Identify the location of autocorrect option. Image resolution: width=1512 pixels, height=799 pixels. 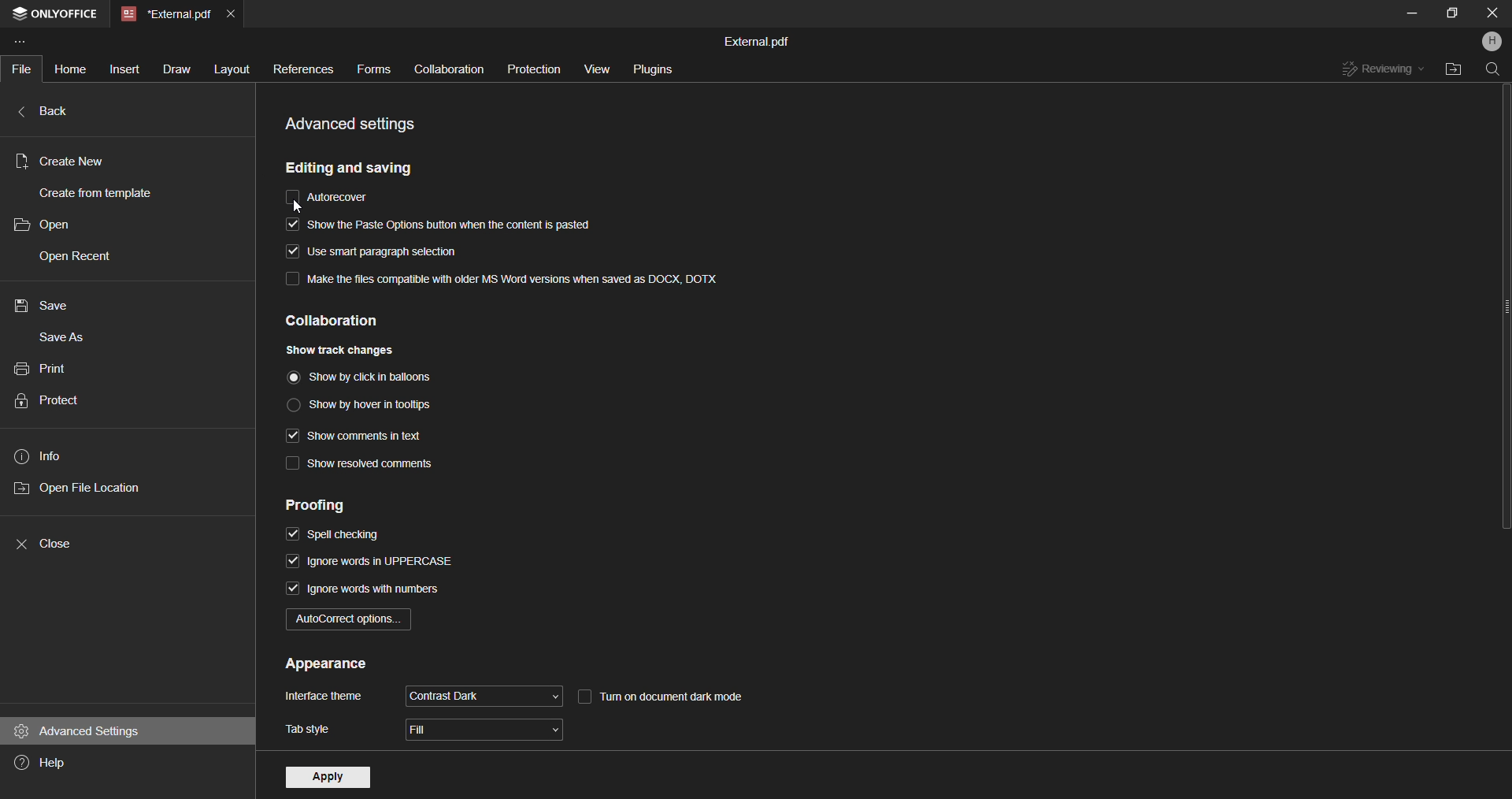
(350, 622).